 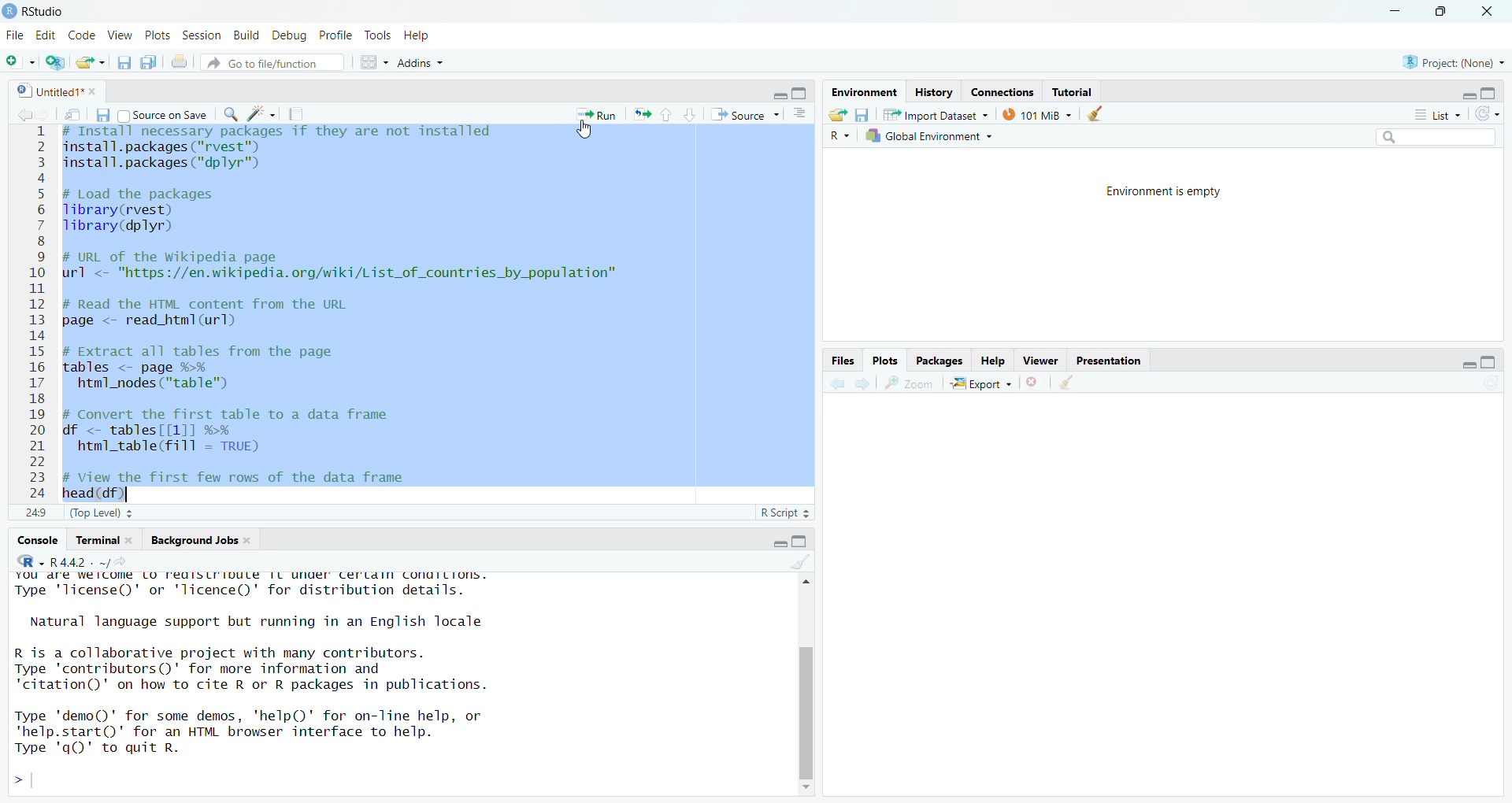 What do you see at coordinates (778, 95) in the screenshot?
I see `minimize` at bounding box center [778, 95].